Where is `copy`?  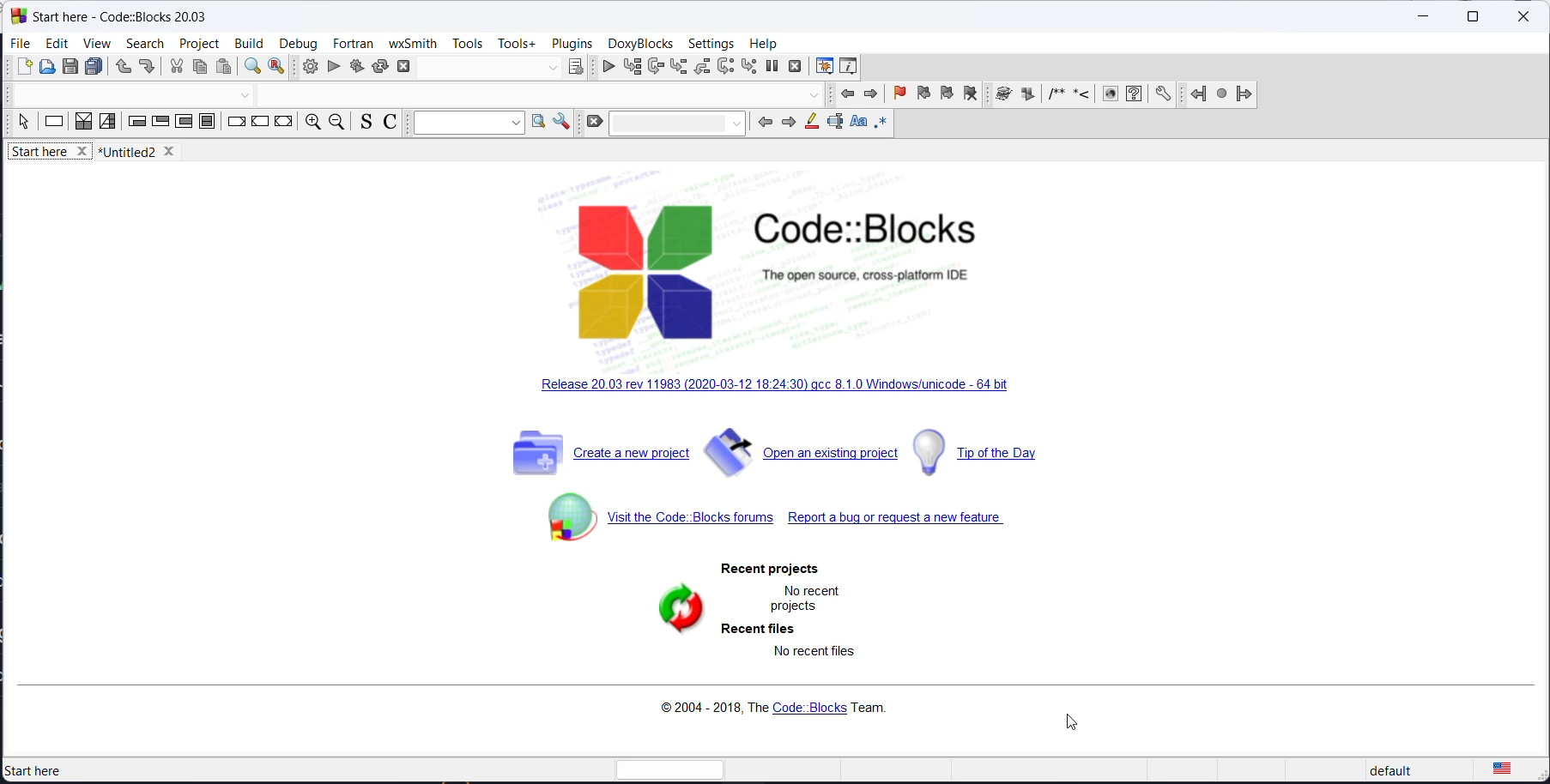
copy is located at coordinates (199, 69).